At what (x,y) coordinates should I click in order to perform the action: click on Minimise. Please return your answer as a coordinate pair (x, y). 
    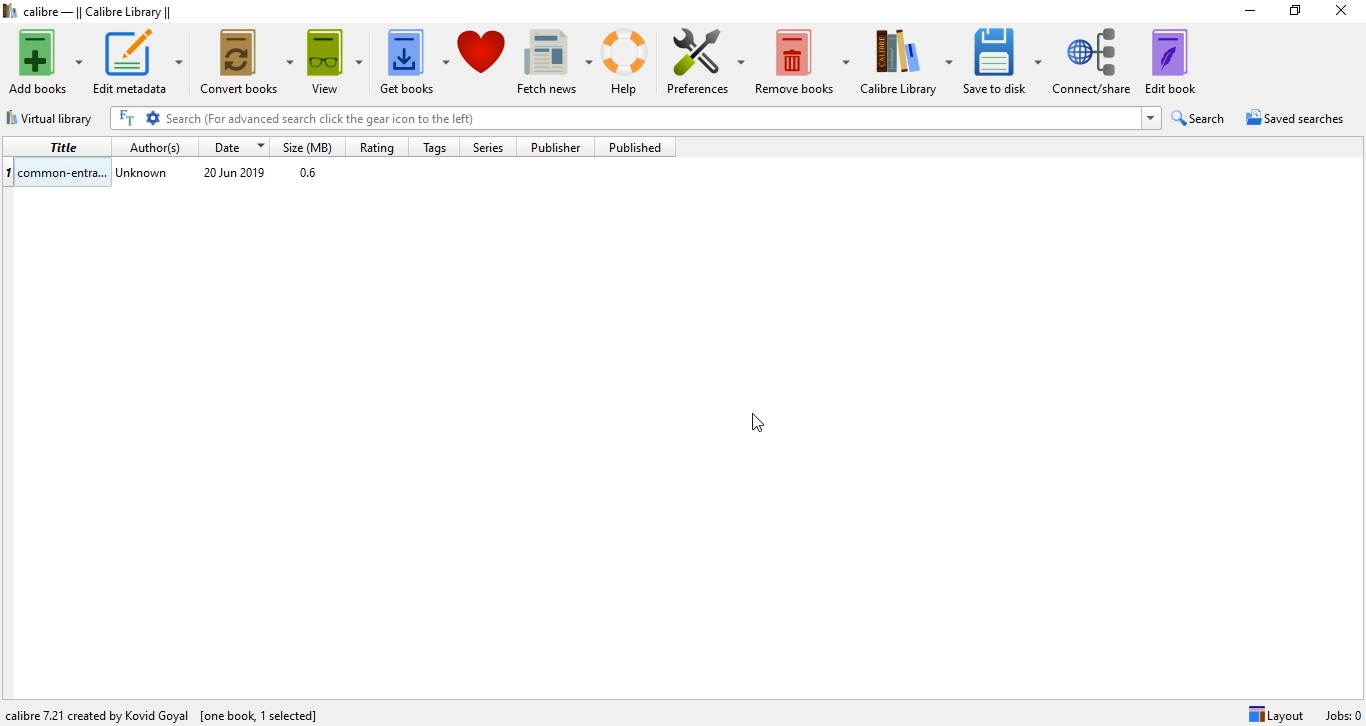
    Looking at the image, I should click on (1245, 12).